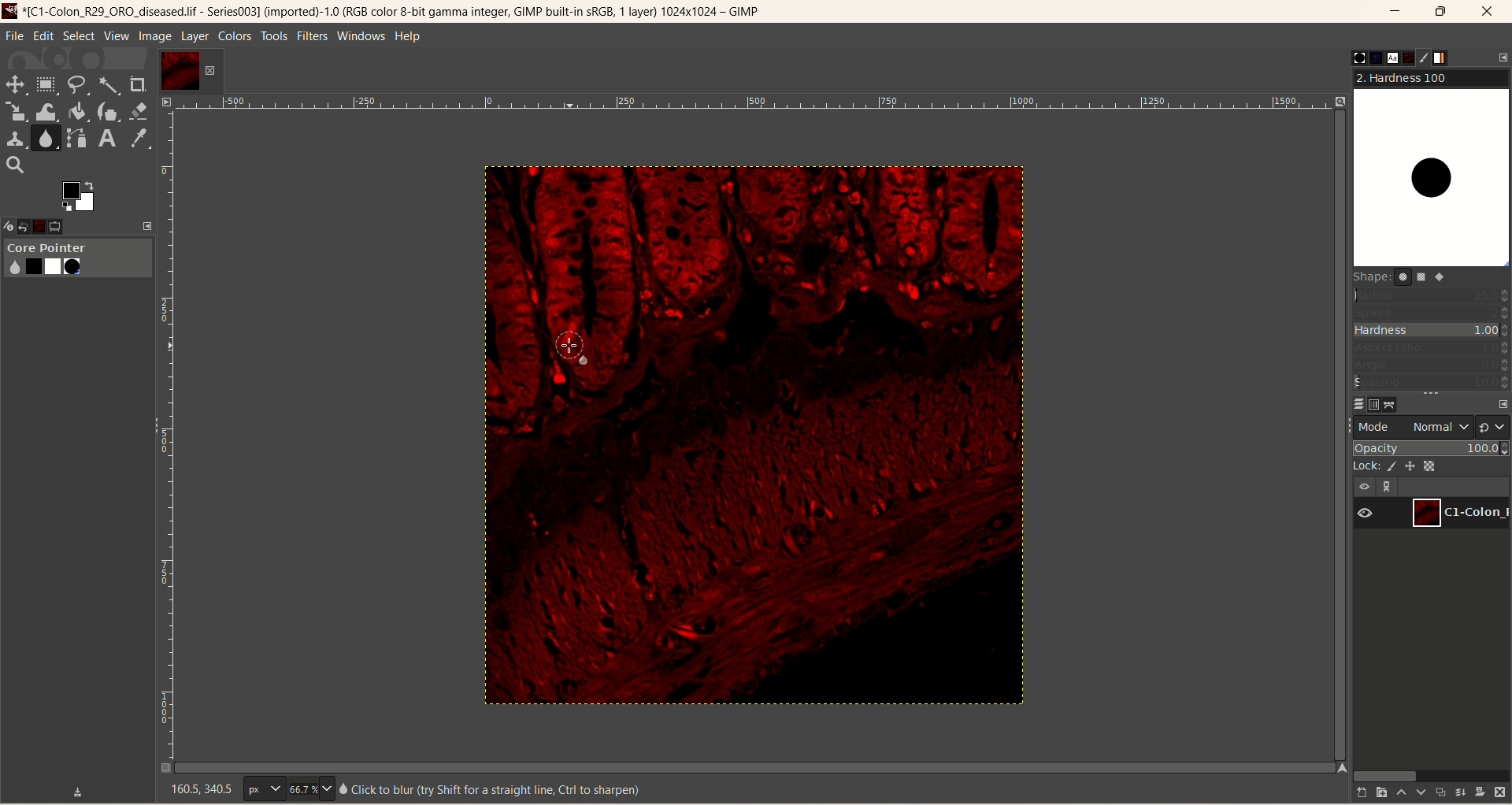  What do you see at coordinates (1432, 311) in the screenshot?
I see `spikes` at bounding box center [1432, 311].